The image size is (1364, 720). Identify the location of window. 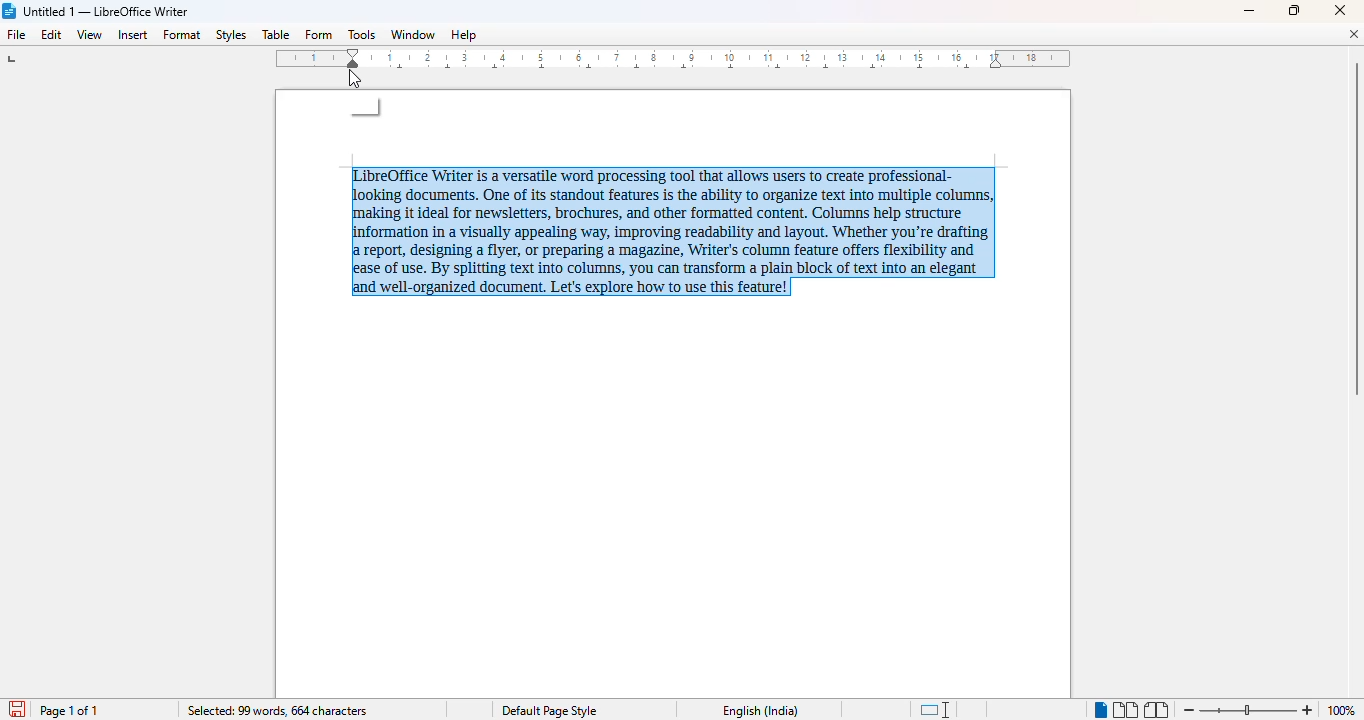
(413, 34).